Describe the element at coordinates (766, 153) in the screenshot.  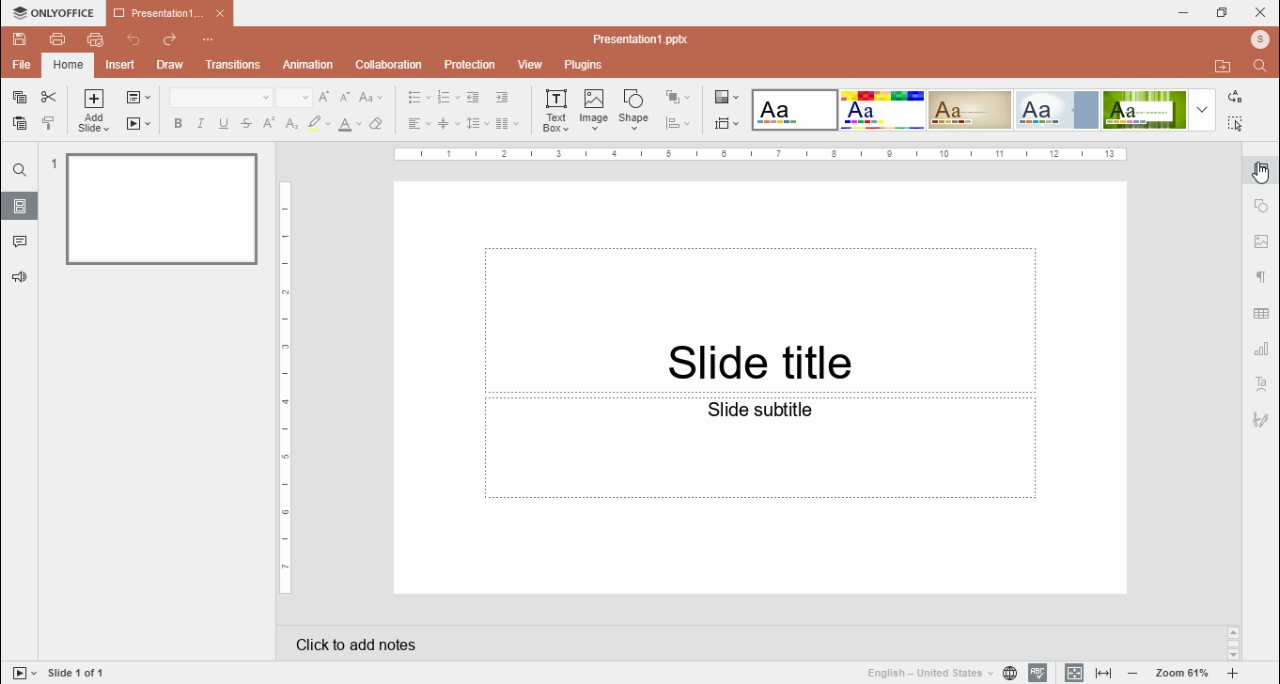
I see `scale` at that location.